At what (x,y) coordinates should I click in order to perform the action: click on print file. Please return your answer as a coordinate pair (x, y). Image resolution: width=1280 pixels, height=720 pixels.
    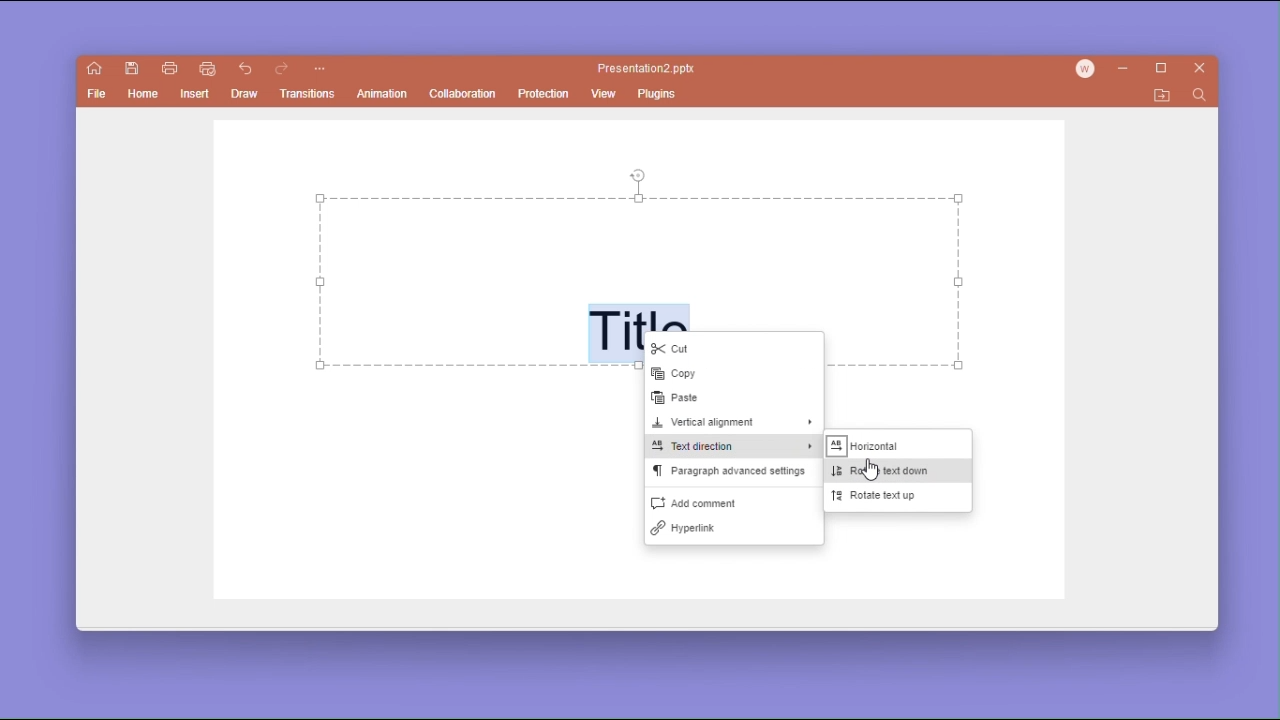
    Looking at the image, I should click on (169, 67).